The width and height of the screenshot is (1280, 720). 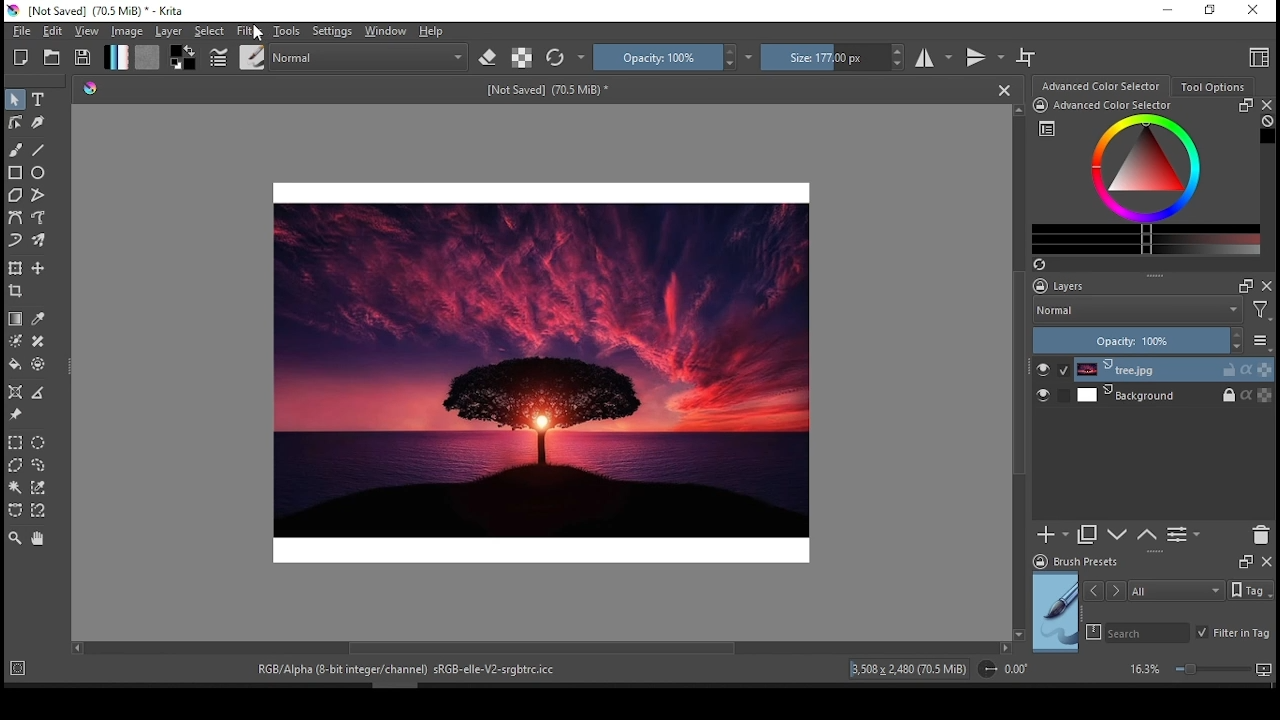 I want to click on Tags, so click(x=1250, y=591).